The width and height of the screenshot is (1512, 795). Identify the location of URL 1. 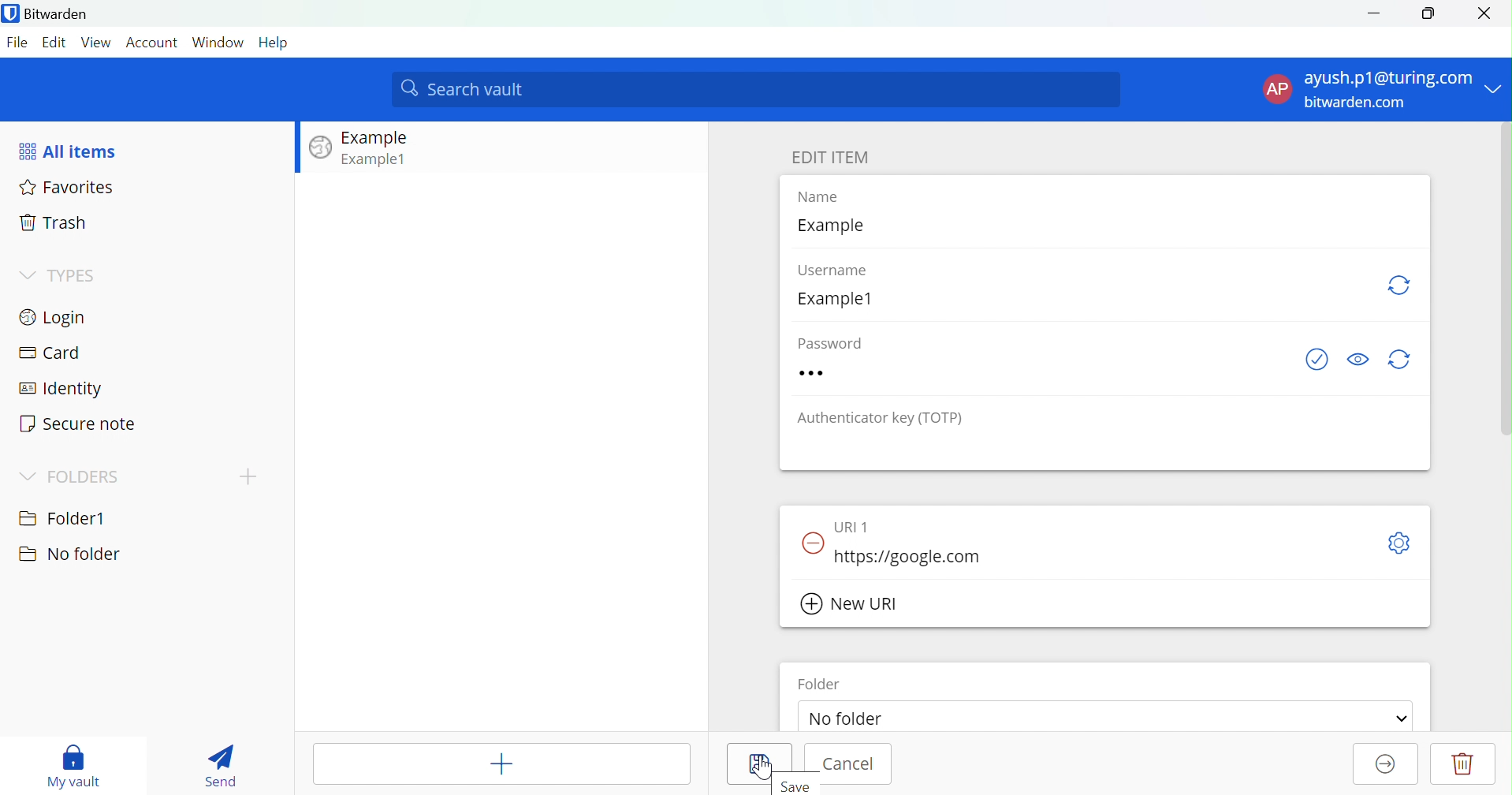
(858, 524).